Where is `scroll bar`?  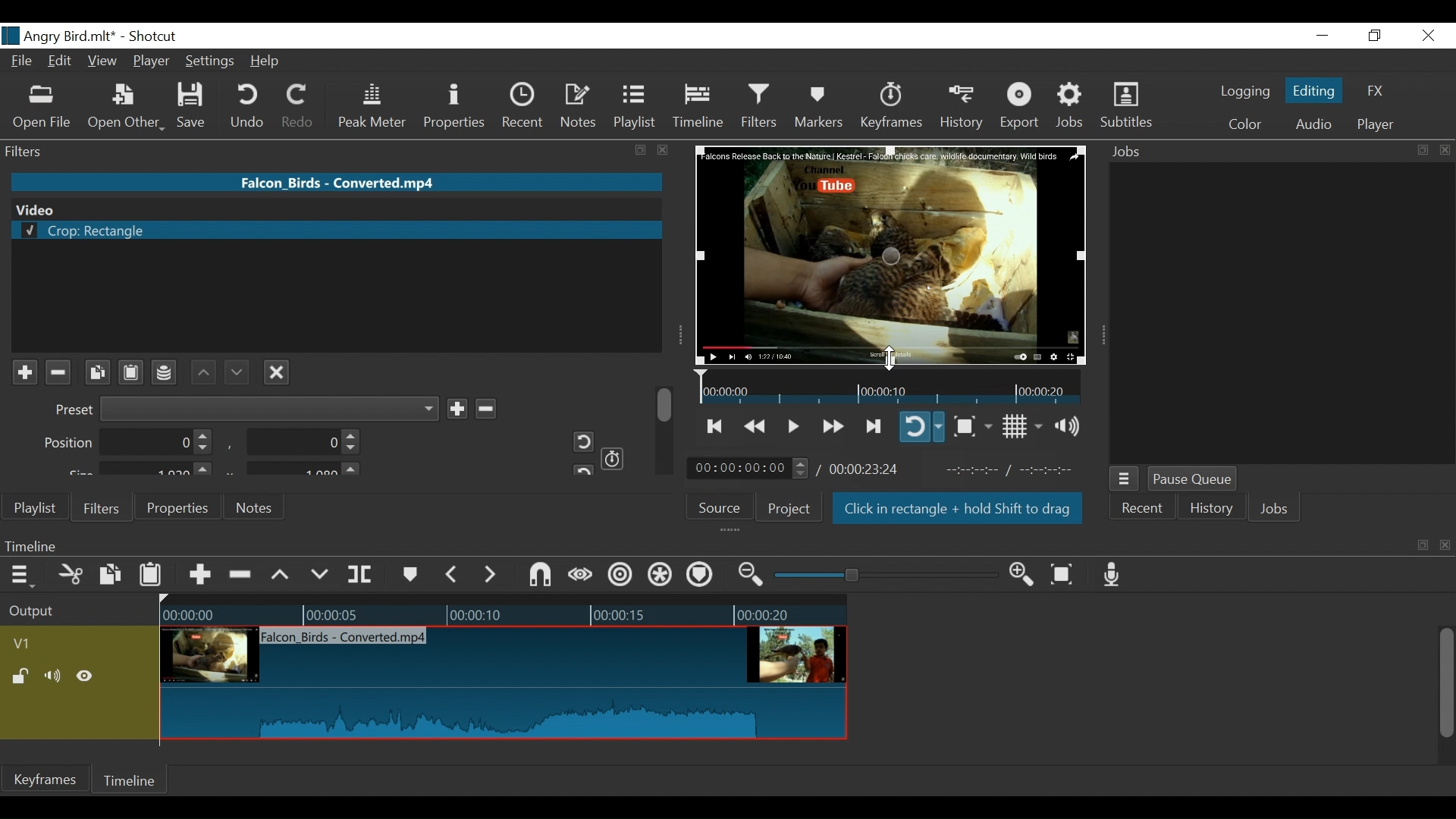
scroll bar is located at coordinates (666, 403).